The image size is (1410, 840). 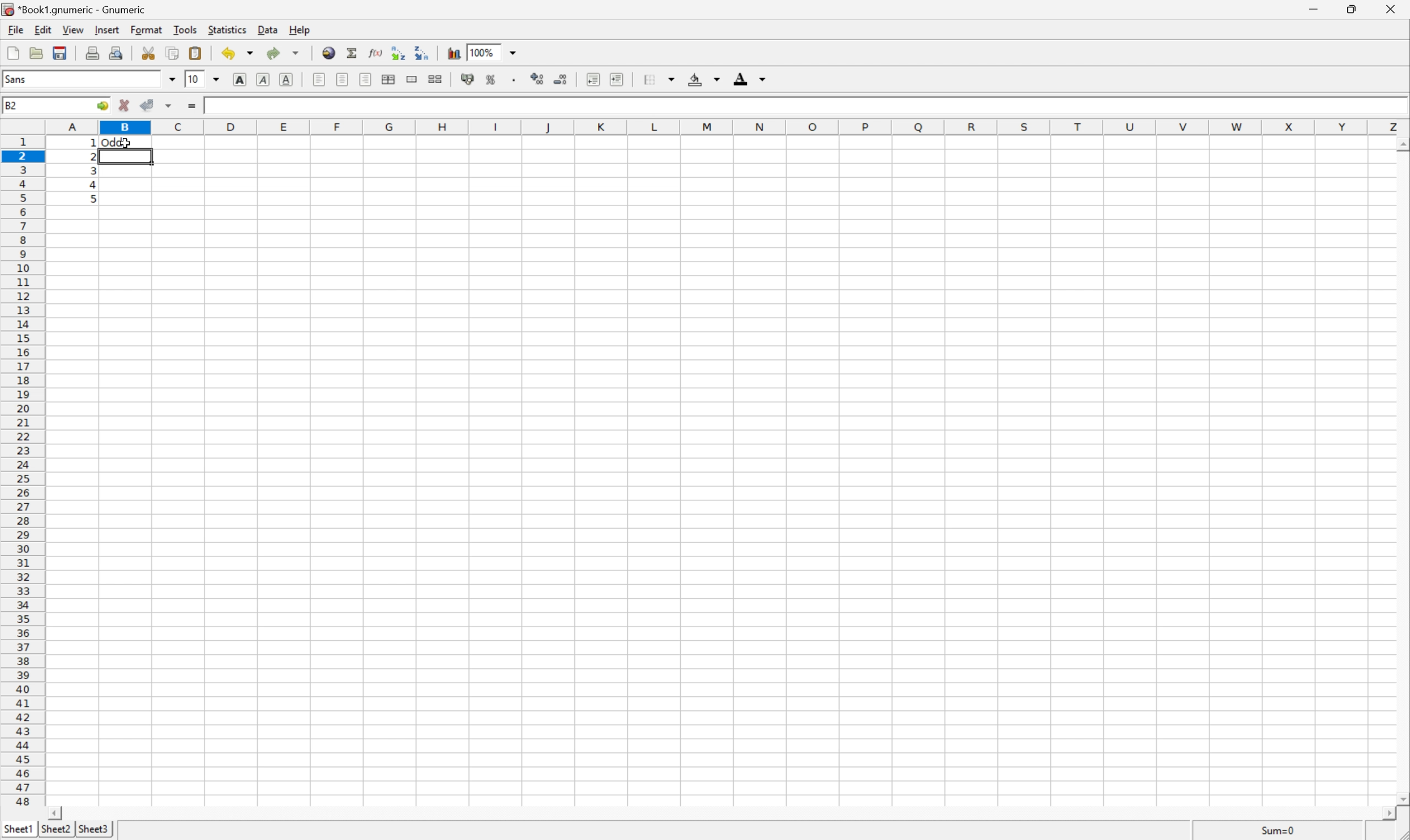 I want to click on Merge range of cells, so click(x=412, y=79).